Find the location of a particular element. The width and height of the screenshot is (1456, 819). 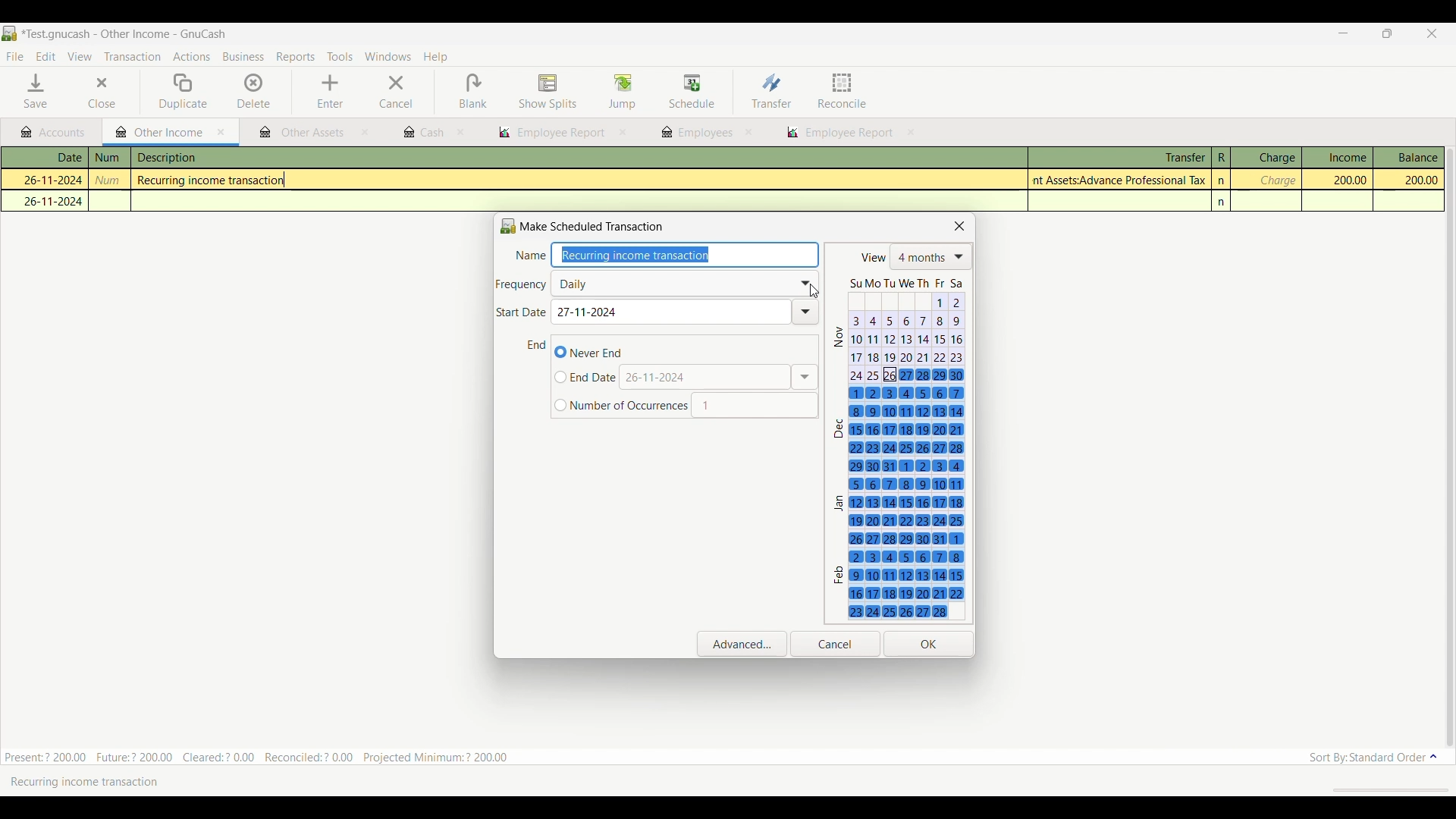

Input specific end date is located at coordinates (586, 378).